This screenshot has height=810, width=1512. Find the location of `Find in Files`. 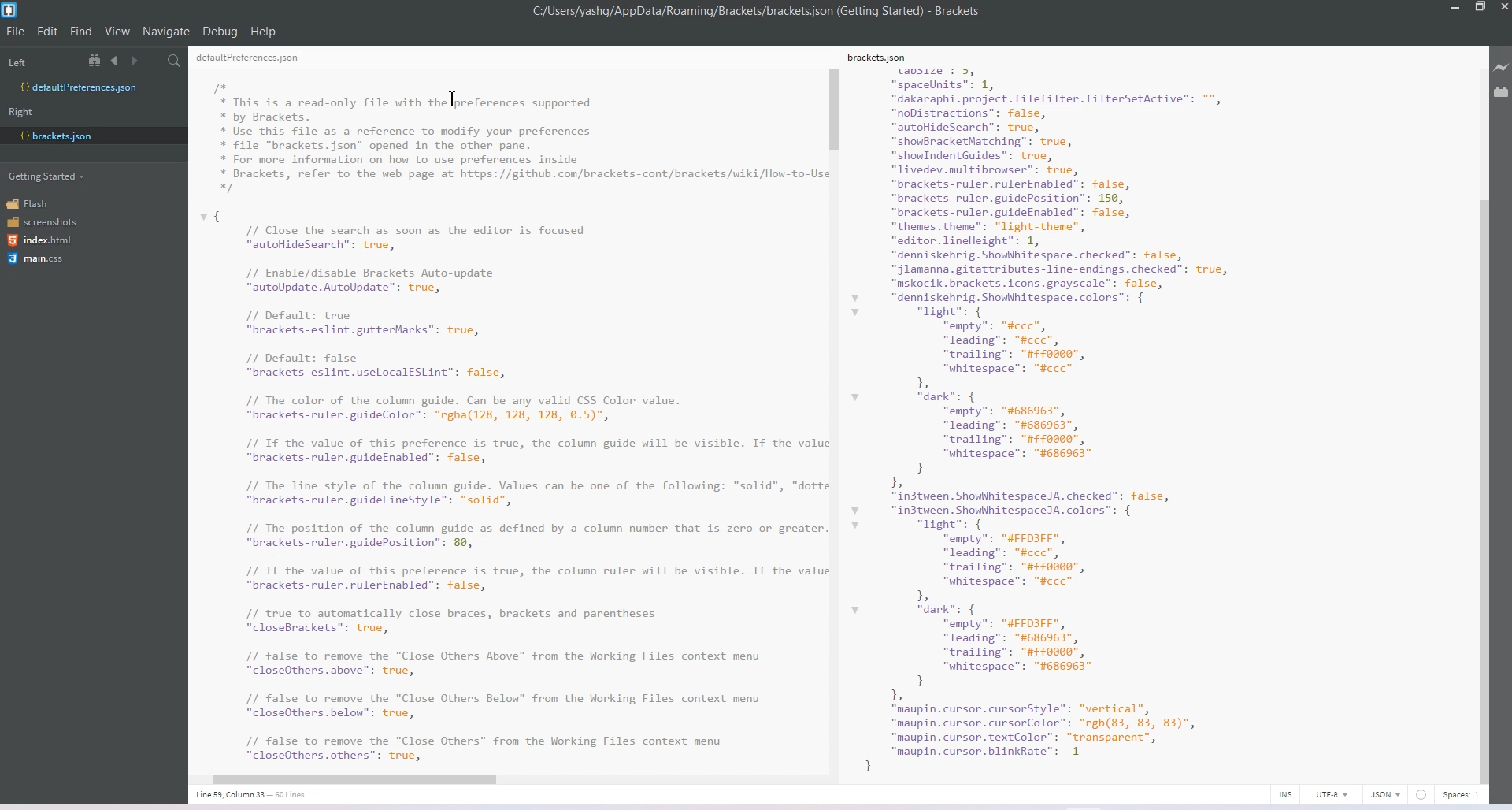

Find in Files is located at coordinates (176, 61).